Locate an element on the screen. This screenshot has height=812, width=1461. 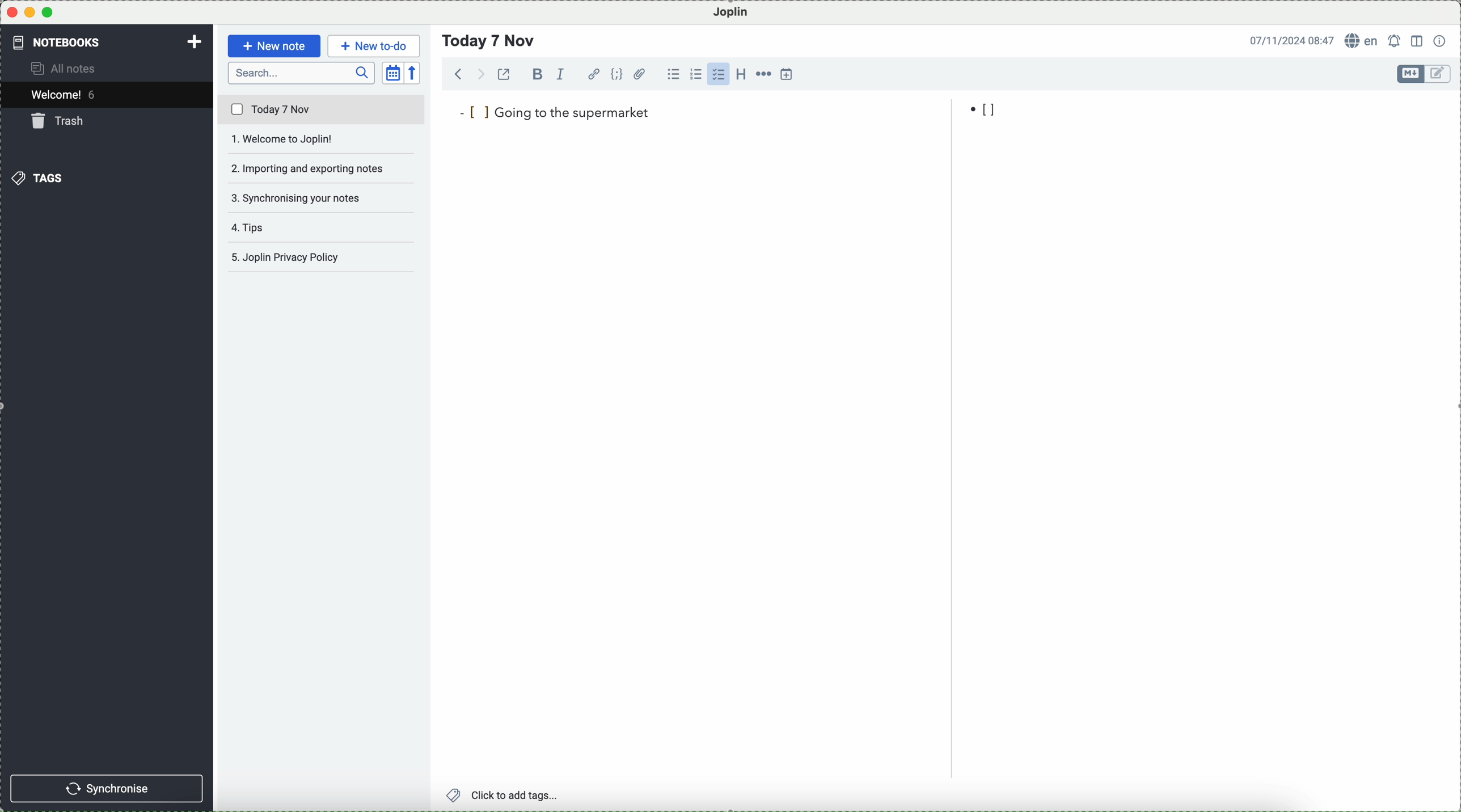
search bar is located at coordinates (302, 73).